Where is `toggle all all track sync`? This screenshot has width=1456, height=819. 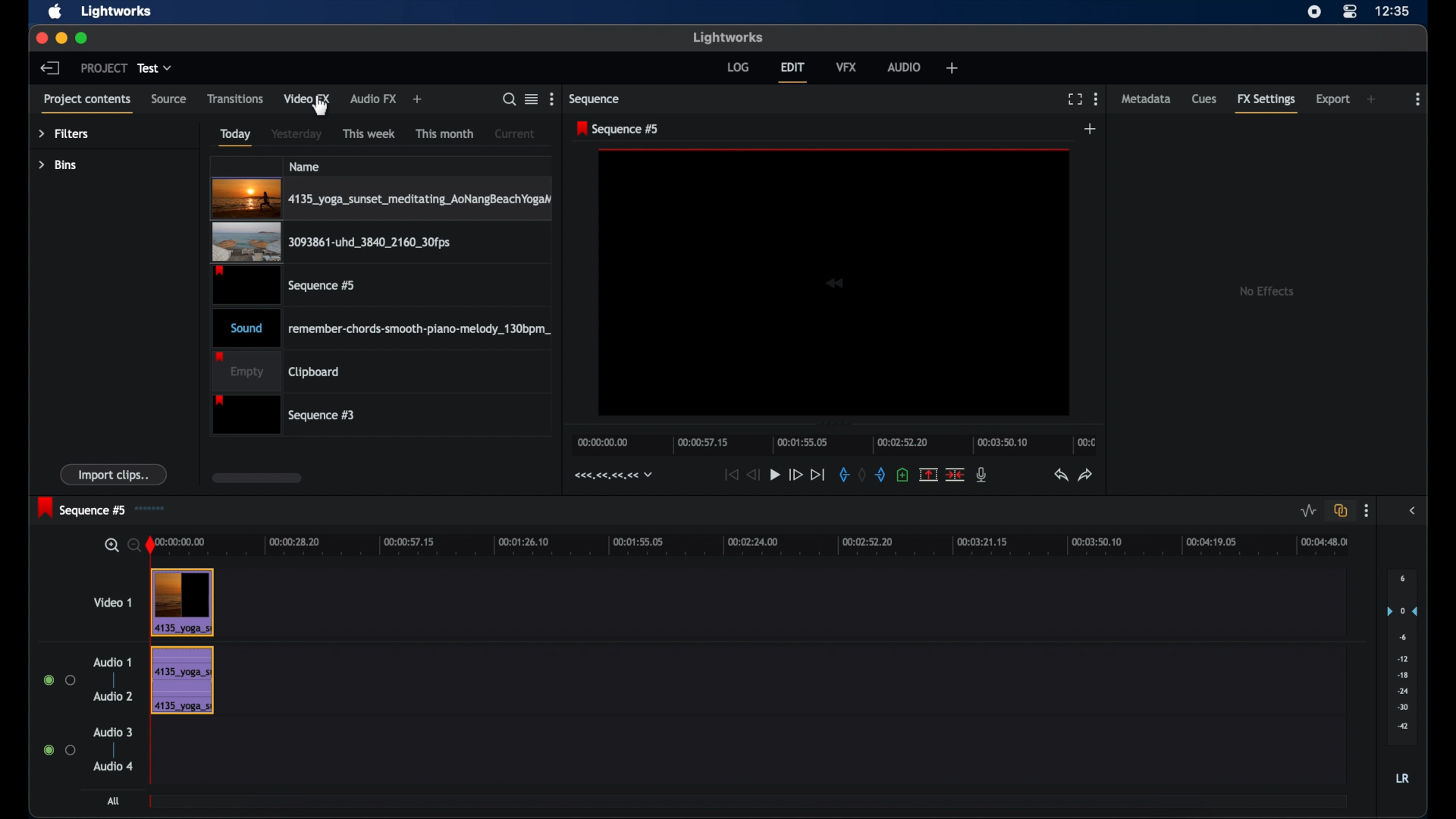 toggle all all track sync is located at coordinates (1338, 511).